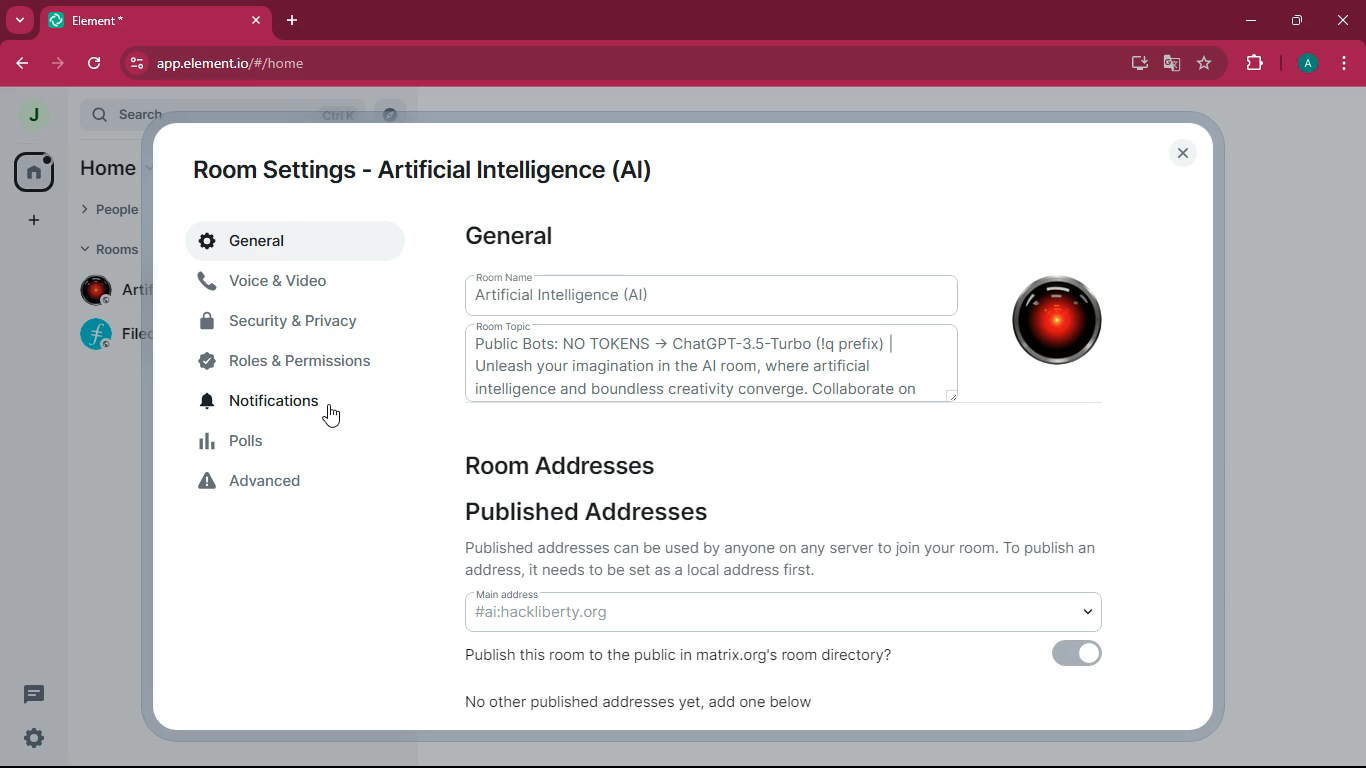  What do you see at coordinates (301, 444) in the screenshot?
I see `polls` at bounding box center [301, 444].